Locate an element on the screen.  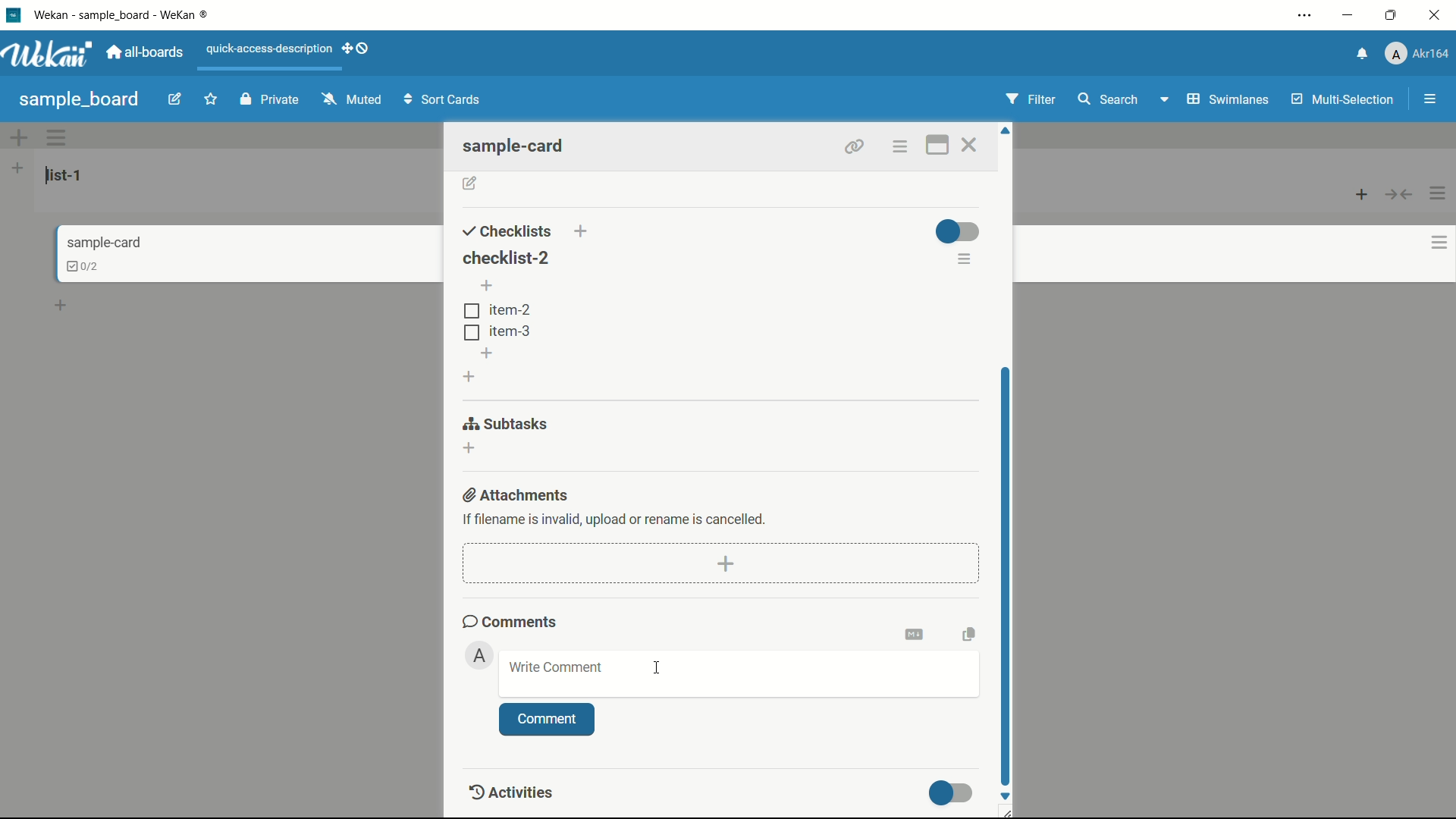
list actions is located at coordinates (1439, 193).